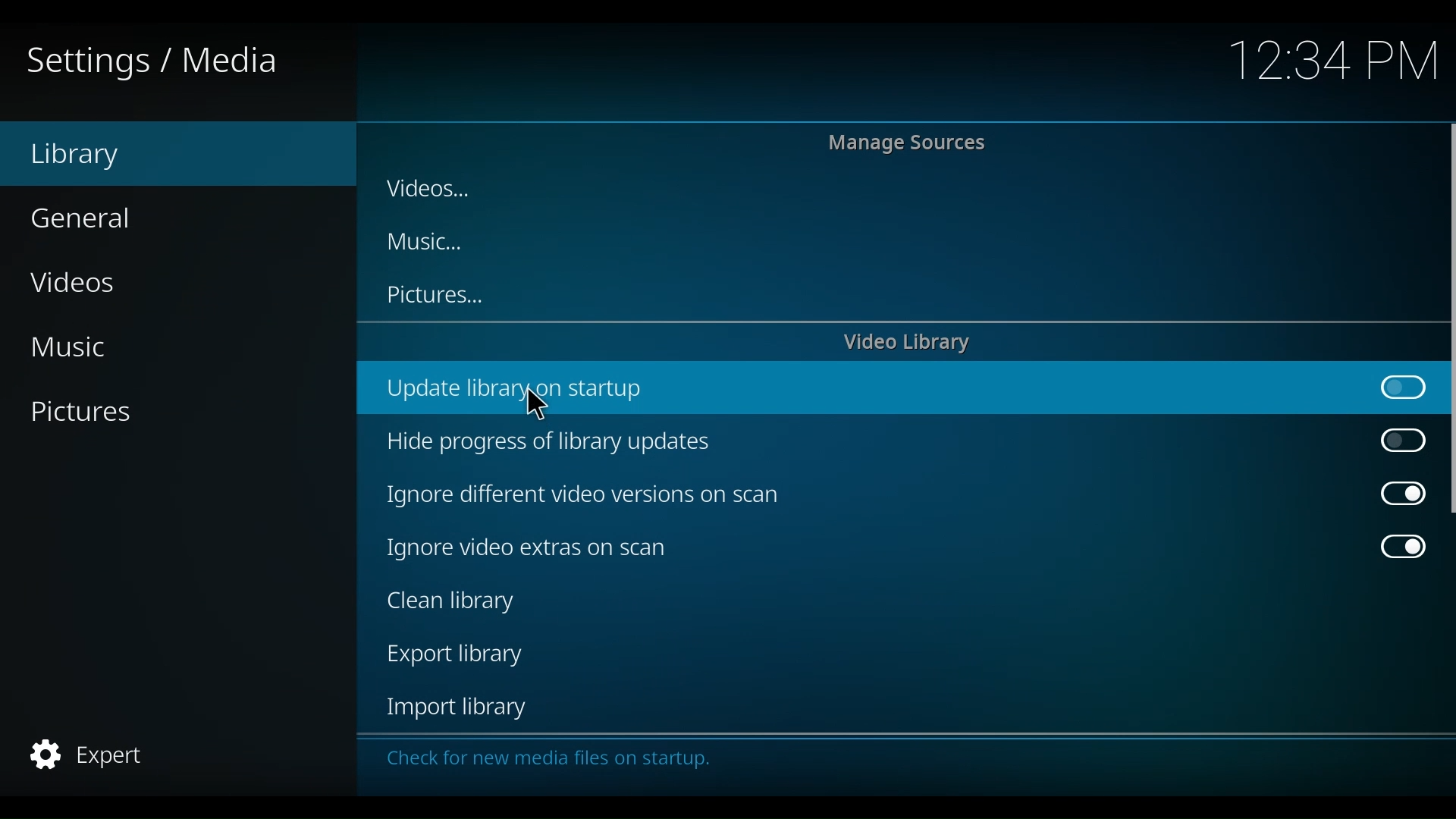 Image resolution: width=1456 pixels, height=819 pixels. I want to click on Hide progress of library updates, so click(867, 445).